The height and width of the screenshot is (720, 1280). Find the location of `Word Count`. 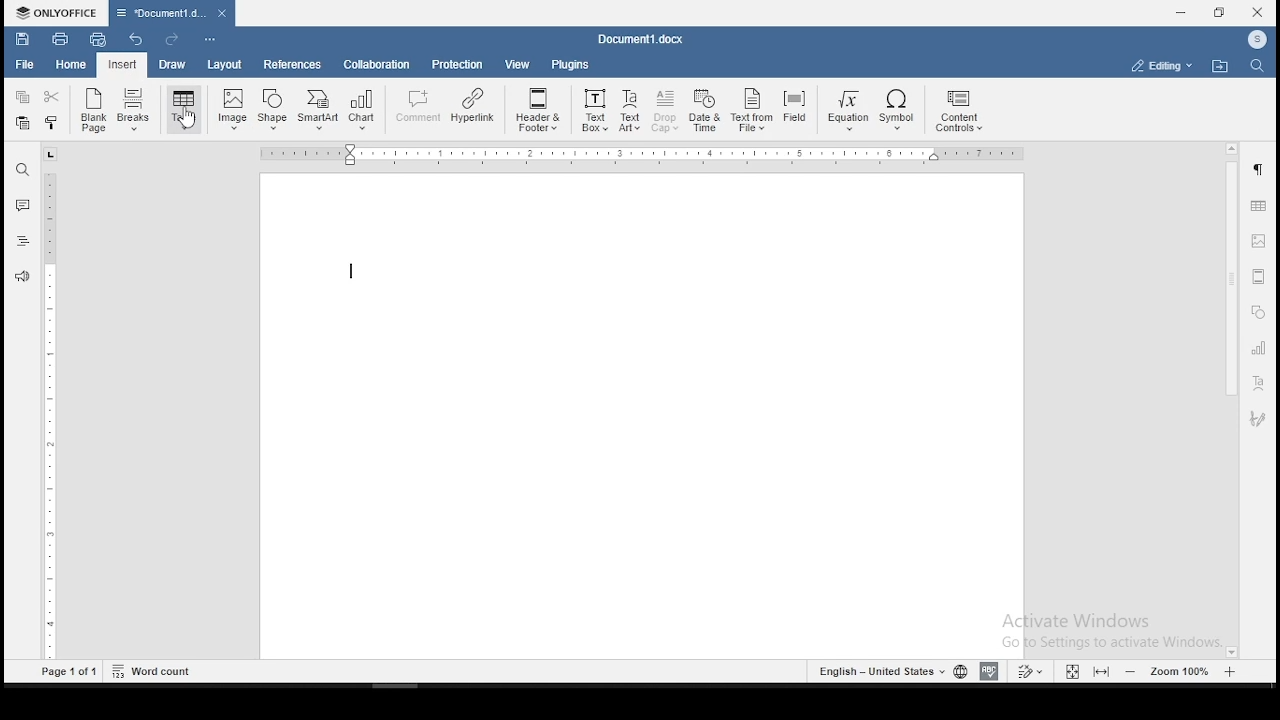

Word Count is located at coordinates (152, 670).